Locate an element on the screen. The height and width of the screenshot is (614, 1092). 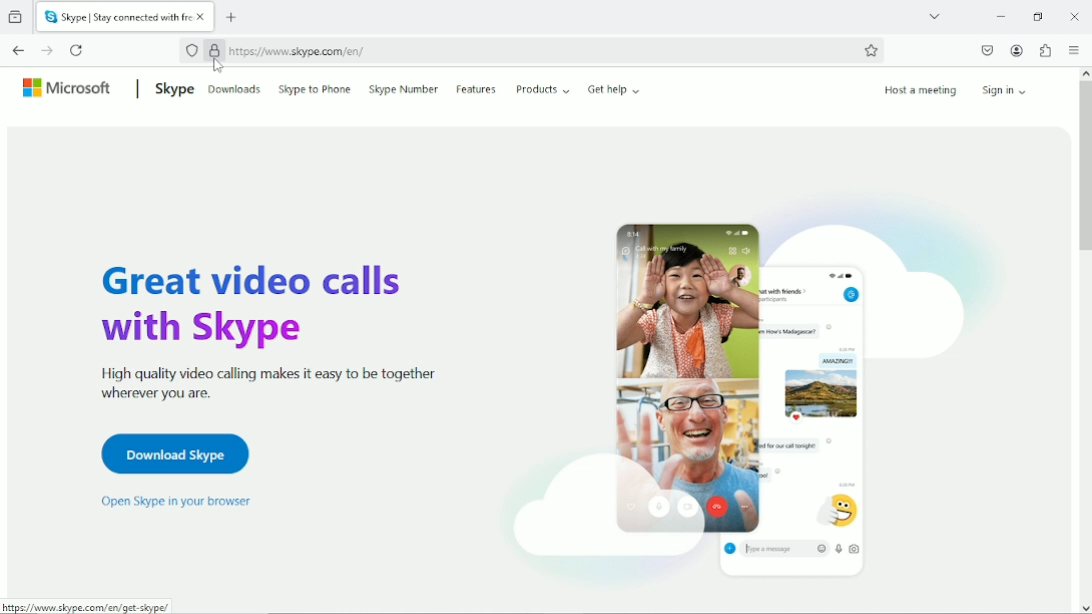
Restore down is located at coordinates (1037, 16).